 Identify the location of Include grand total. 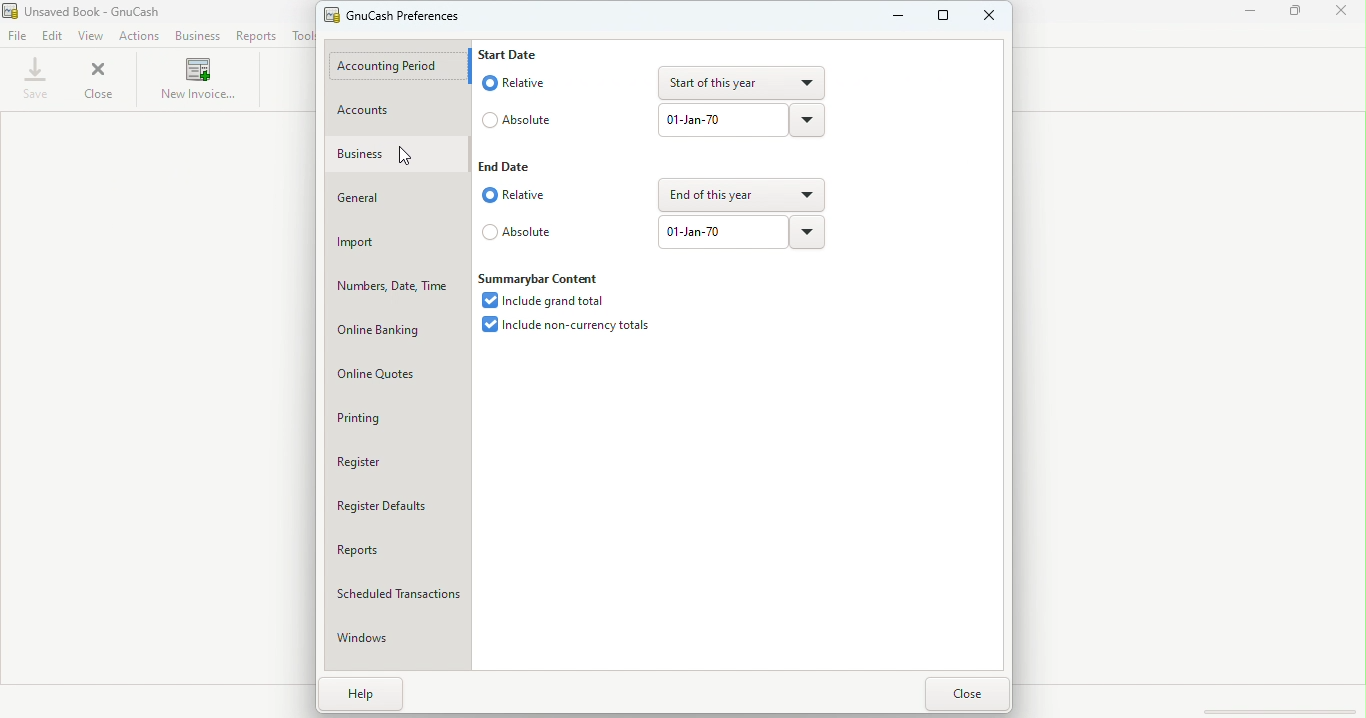
(542, 302).